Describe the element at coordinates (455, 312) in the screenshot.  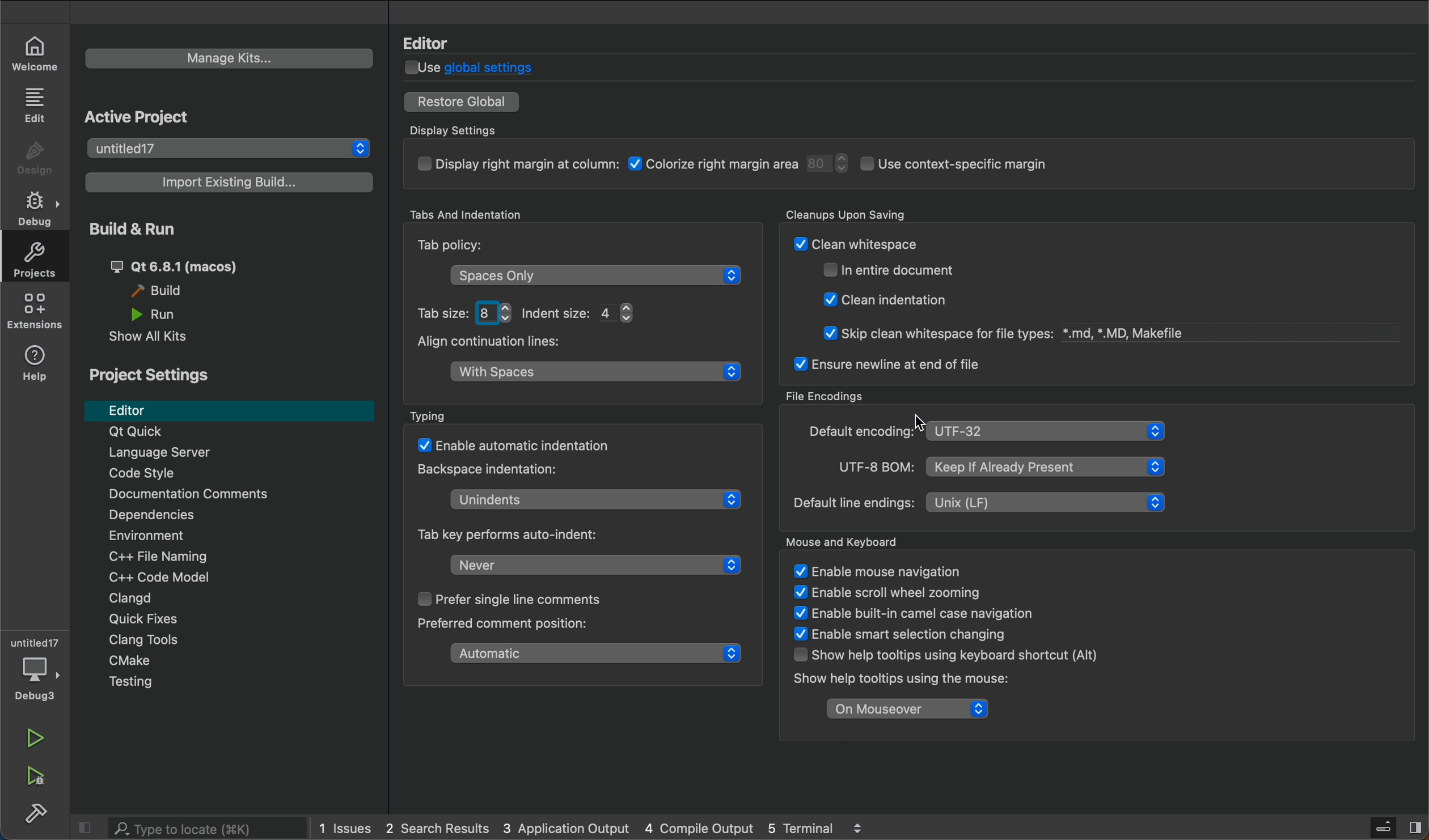
I see `tab size and indent` at that location.